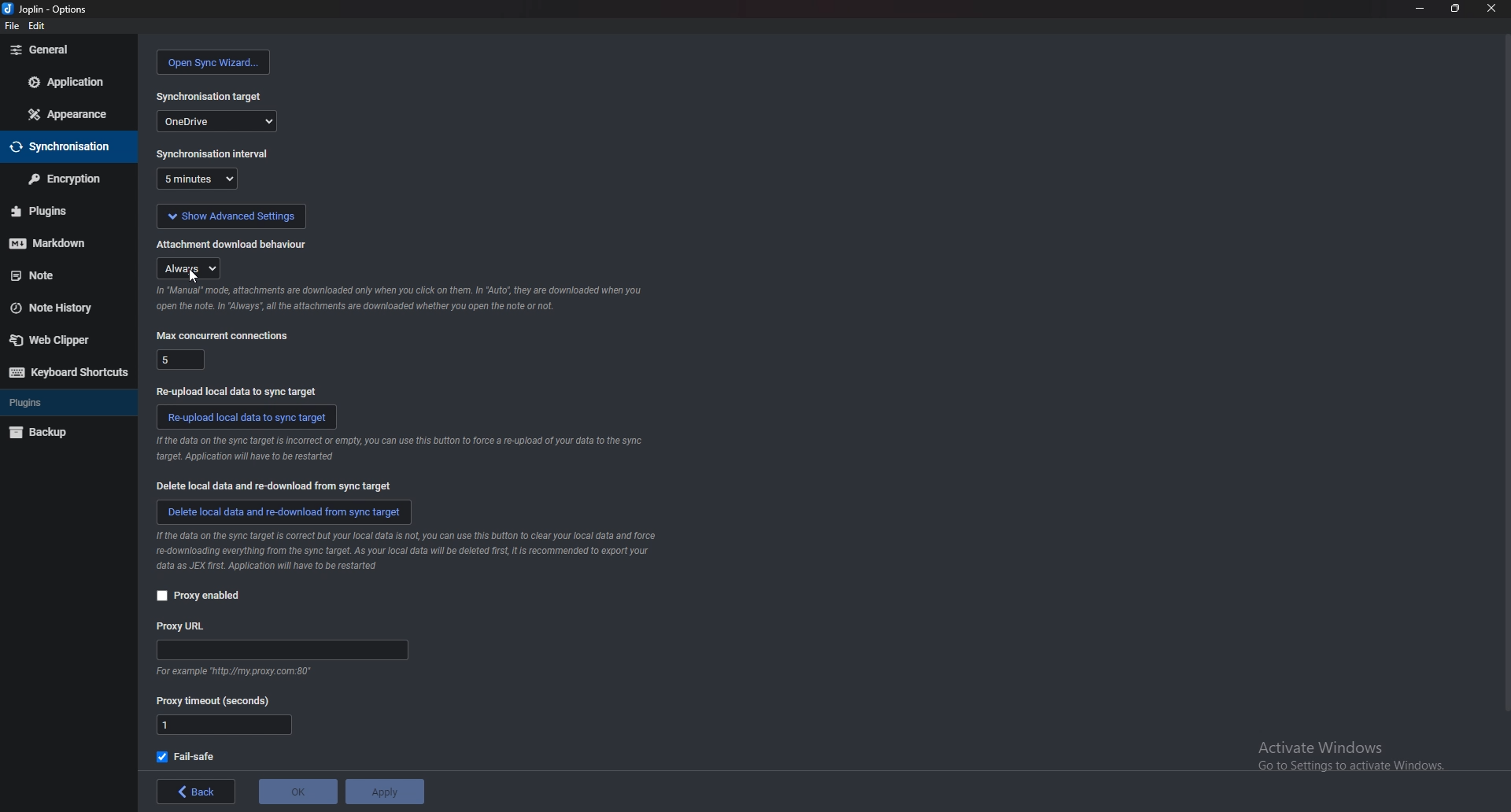 The width and height of the screenshot is (1511, 812). I want to click on path url, so click(282, 651).